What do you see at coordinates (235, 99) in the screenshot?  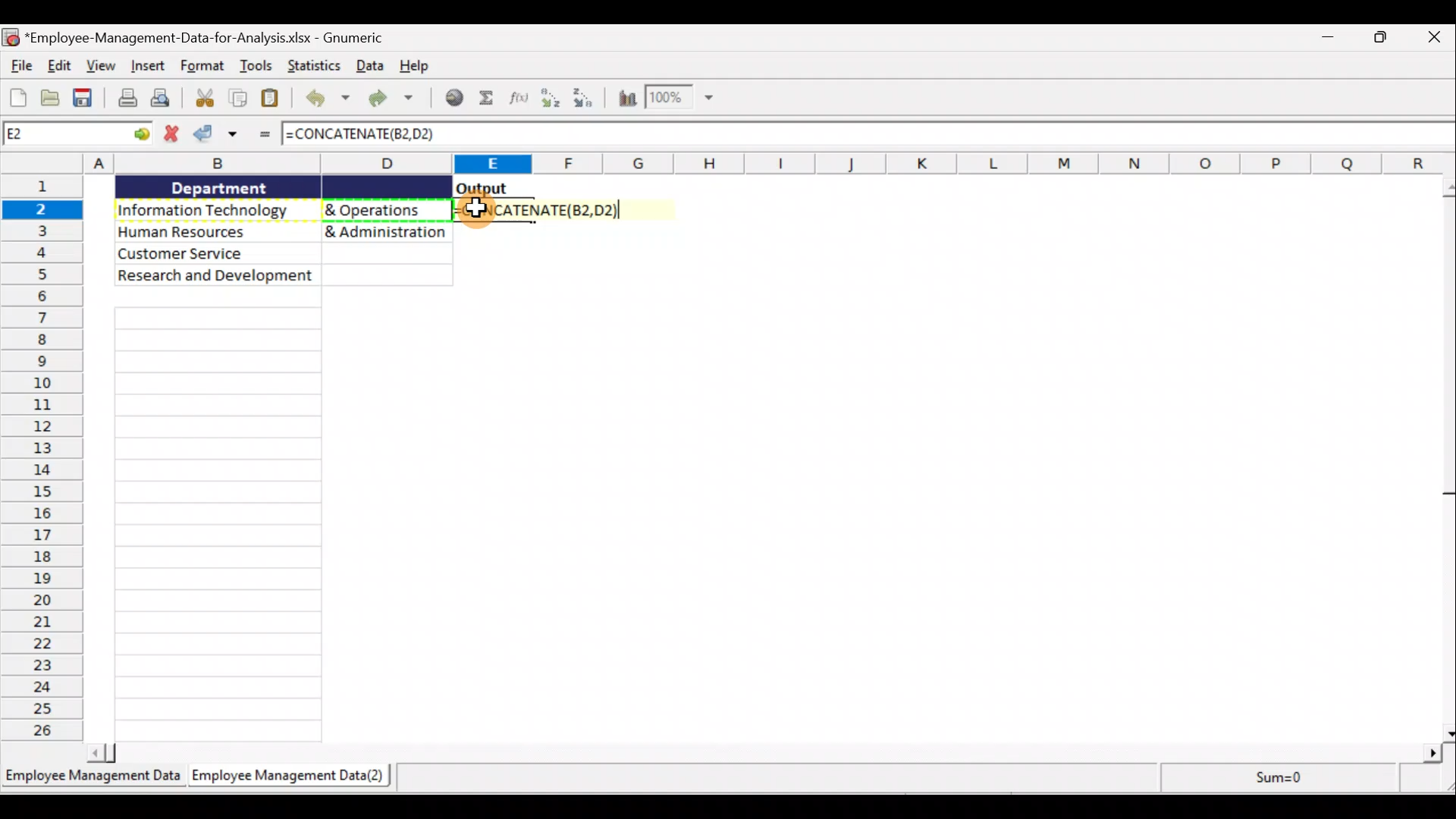 I see `Copy the selection` at bounding box center [235, 99].